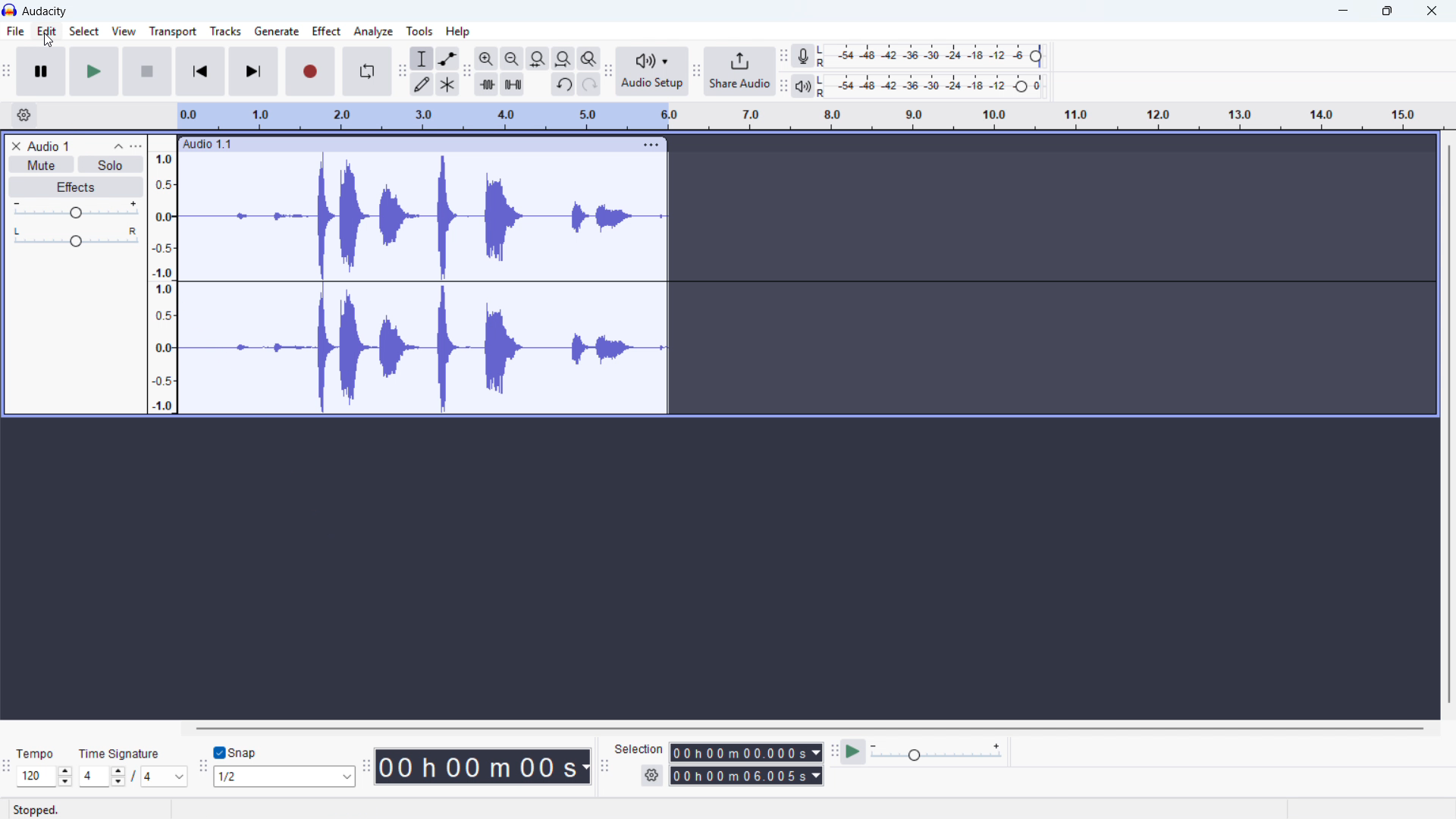 This screenshot has width=1456, height=819. What do you see at coordinates (162, 274) in the screenshot?
I see `amplitude` at bounding box center [162, 274].